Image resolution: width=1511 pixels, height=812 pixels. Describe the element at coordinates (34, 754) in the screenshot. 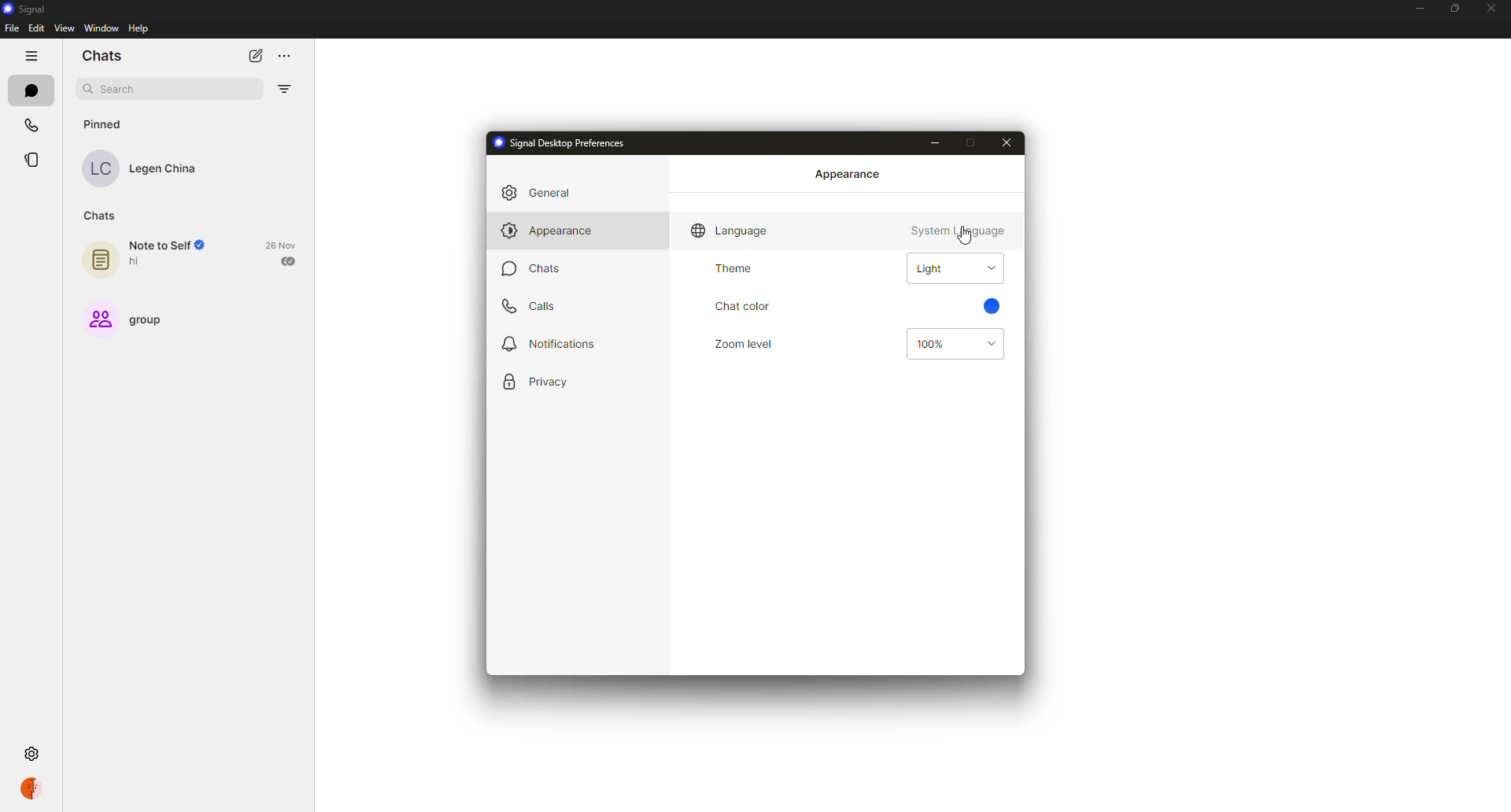

I see `settings` at that location.